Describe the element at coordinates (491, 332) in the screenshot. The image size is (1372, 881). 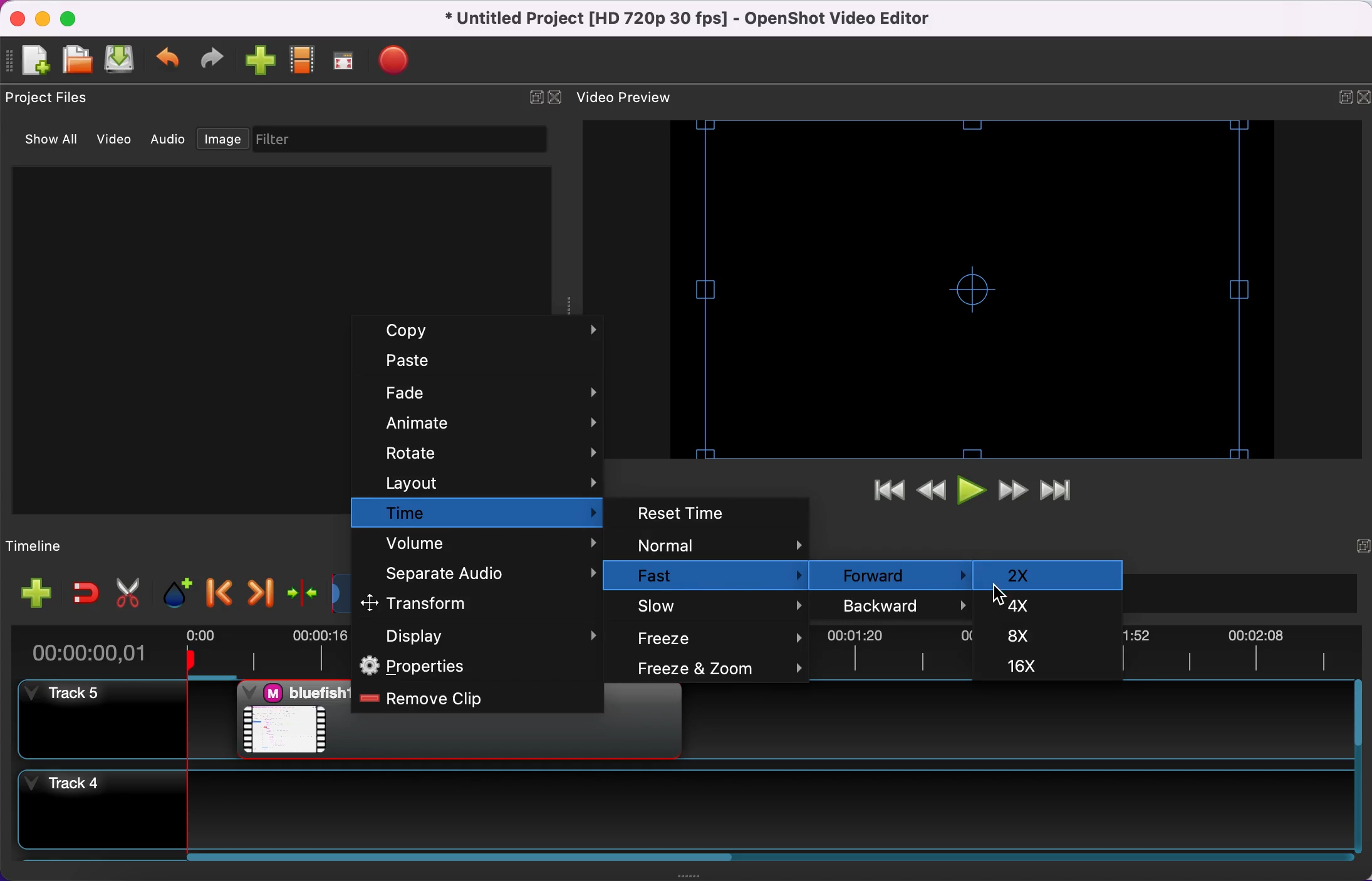
I see `copy` at that location.